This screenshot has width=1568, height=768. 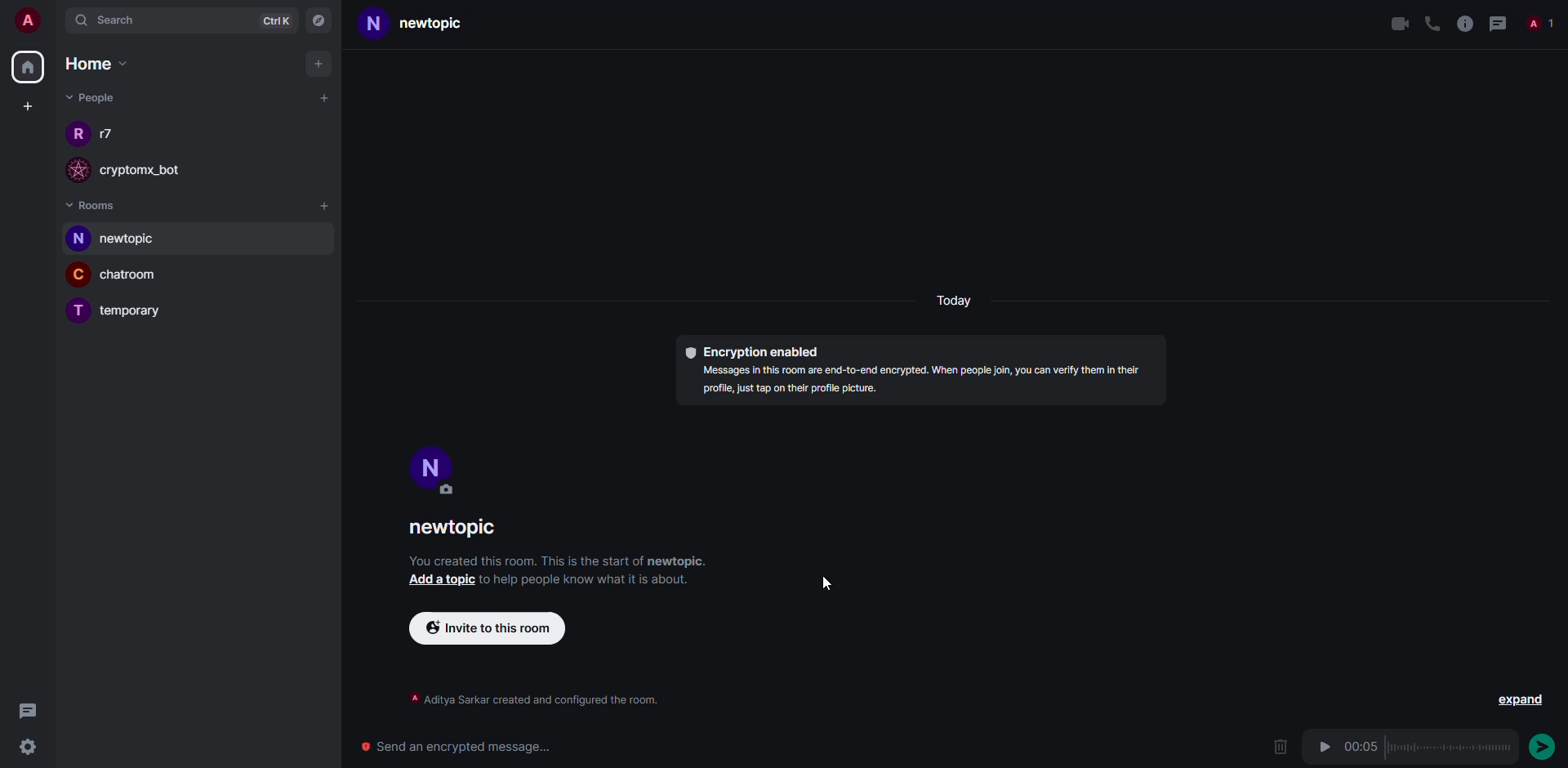 I want to click on N, so click(x=78, y=239).